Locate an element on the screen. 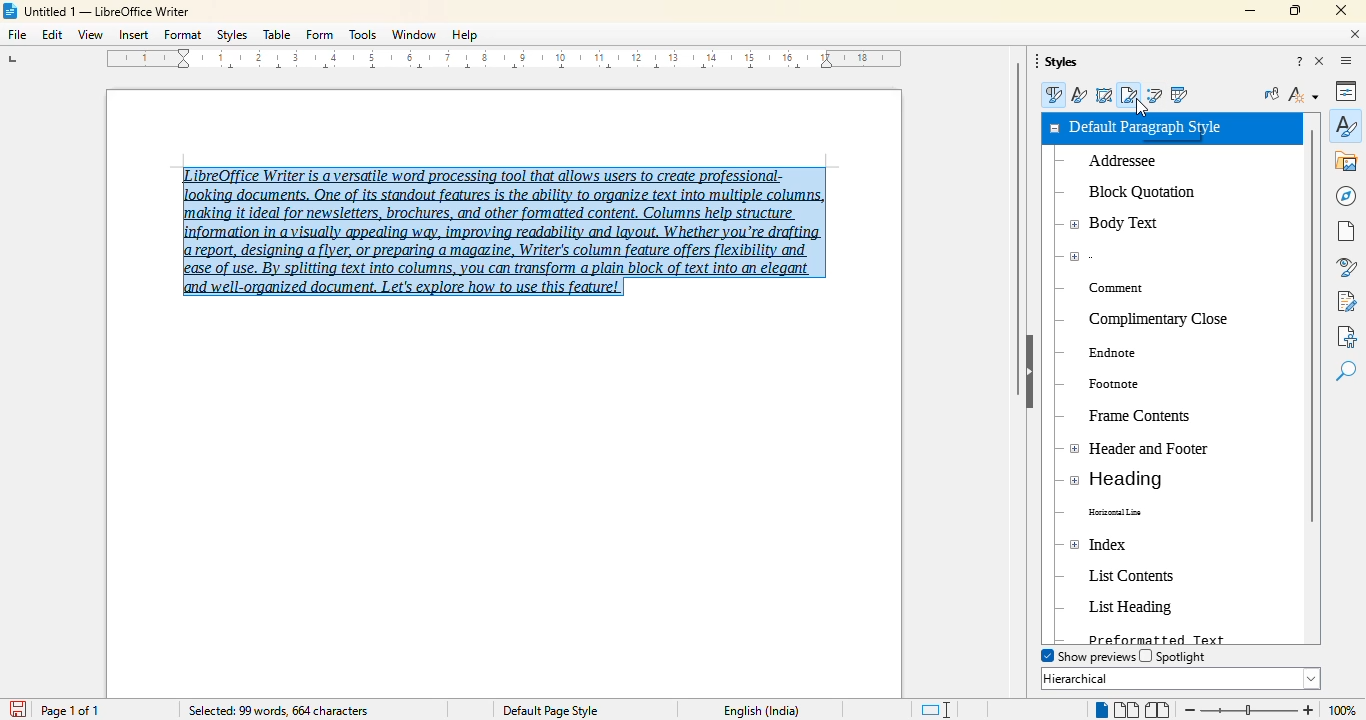 The image size is (1366, 720). styles action is located at coordinates (1303, 94).